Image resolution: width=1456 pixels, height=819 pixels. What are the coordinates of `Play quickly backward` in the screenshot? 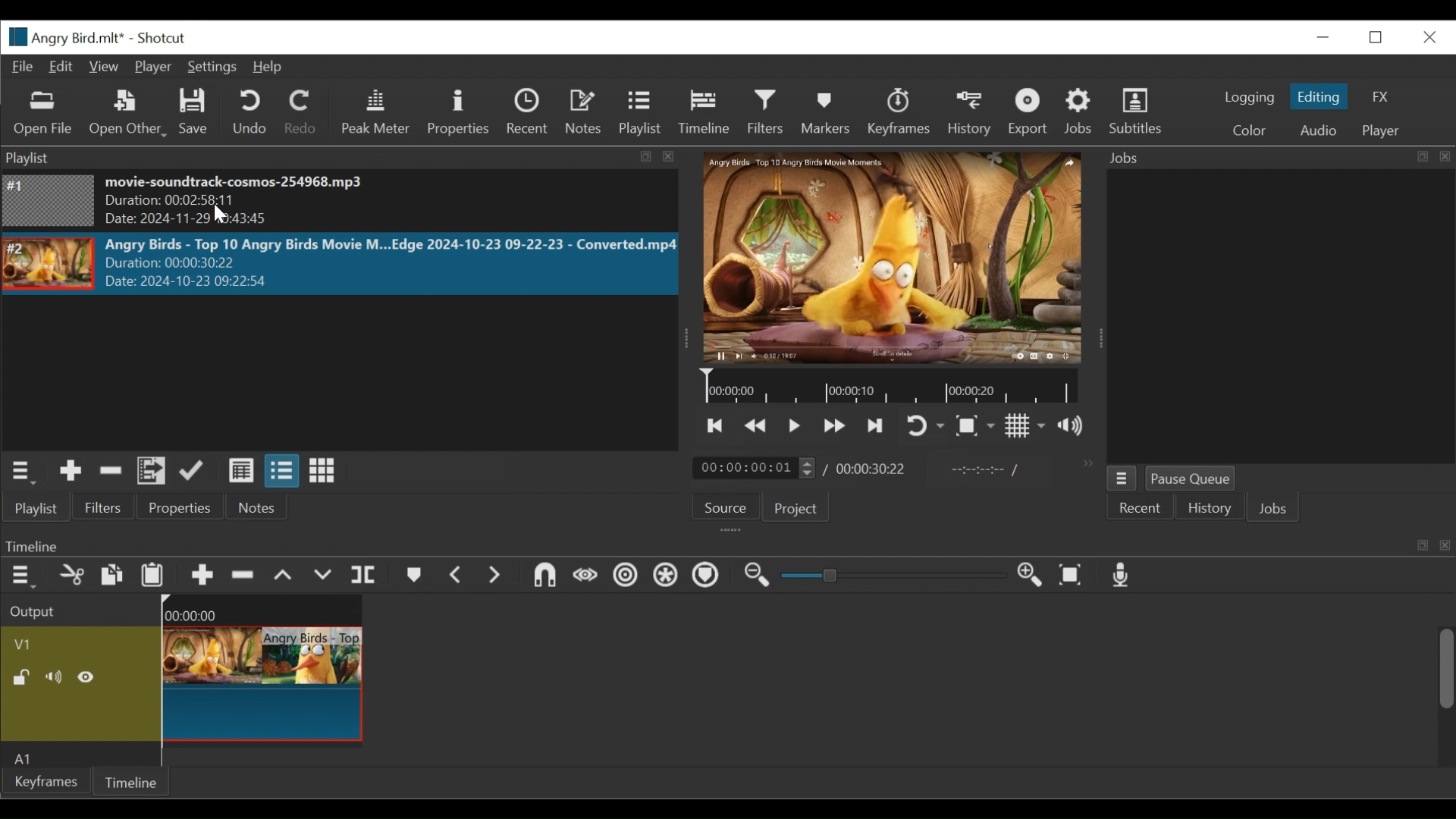 It's located at (758, 426).